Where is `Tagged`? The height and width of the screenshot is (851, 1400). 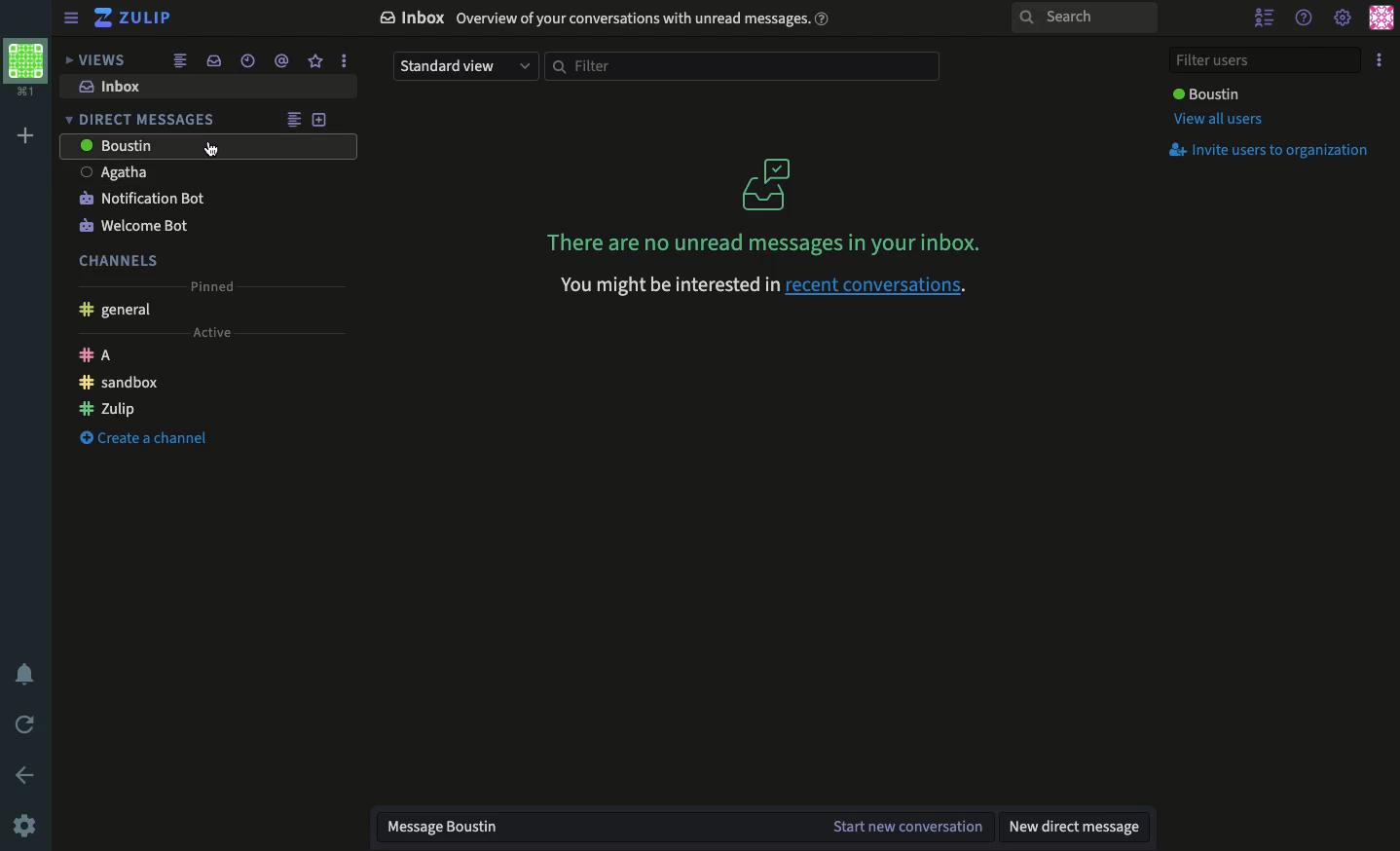
Tagged is located at coordinates (281, 61).